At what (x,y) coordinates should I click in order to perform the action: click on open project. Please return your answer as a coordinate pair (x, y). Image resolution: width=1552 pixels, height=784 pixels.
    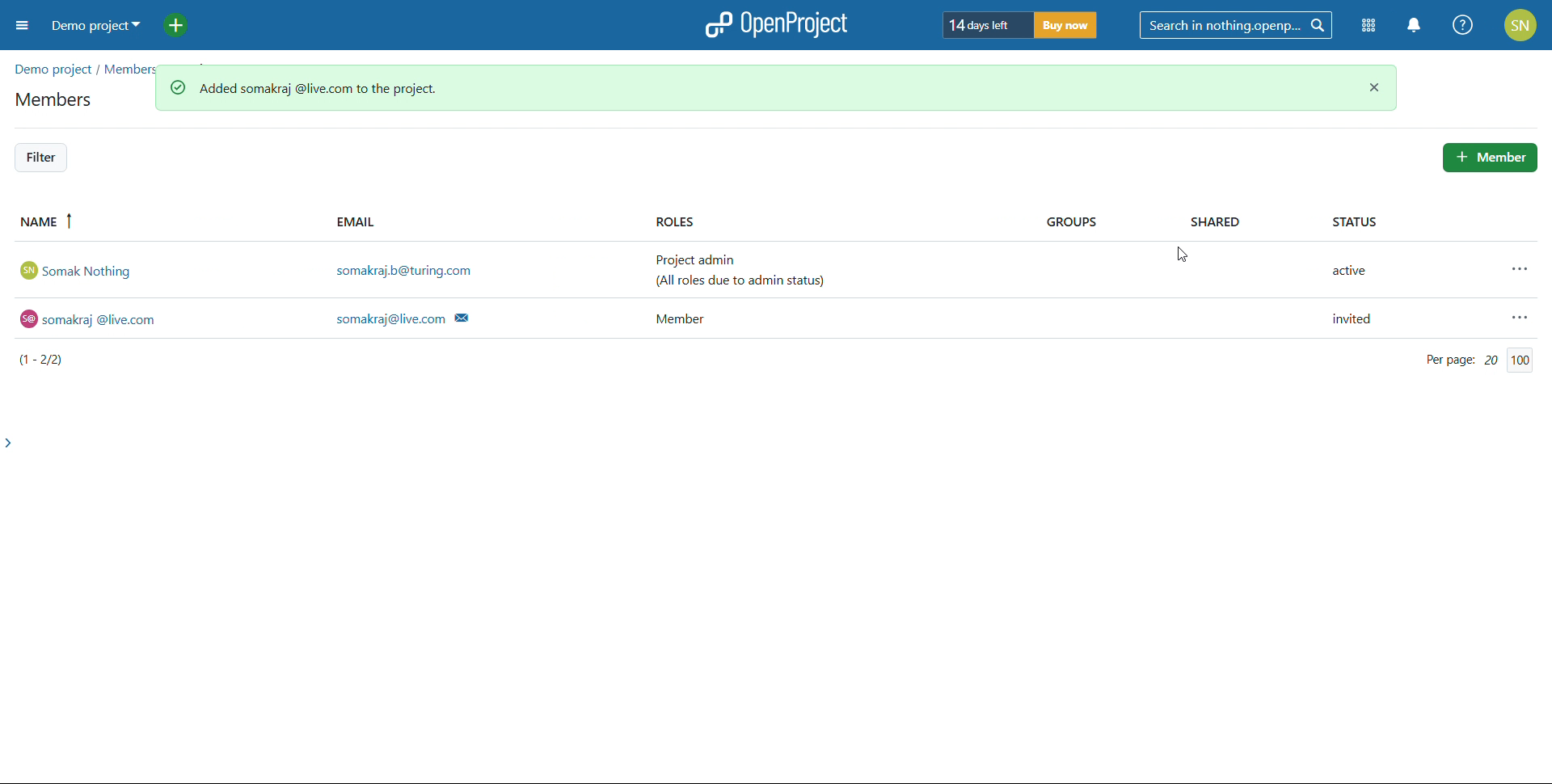
    Looking at the image, I should click on (775, 24).